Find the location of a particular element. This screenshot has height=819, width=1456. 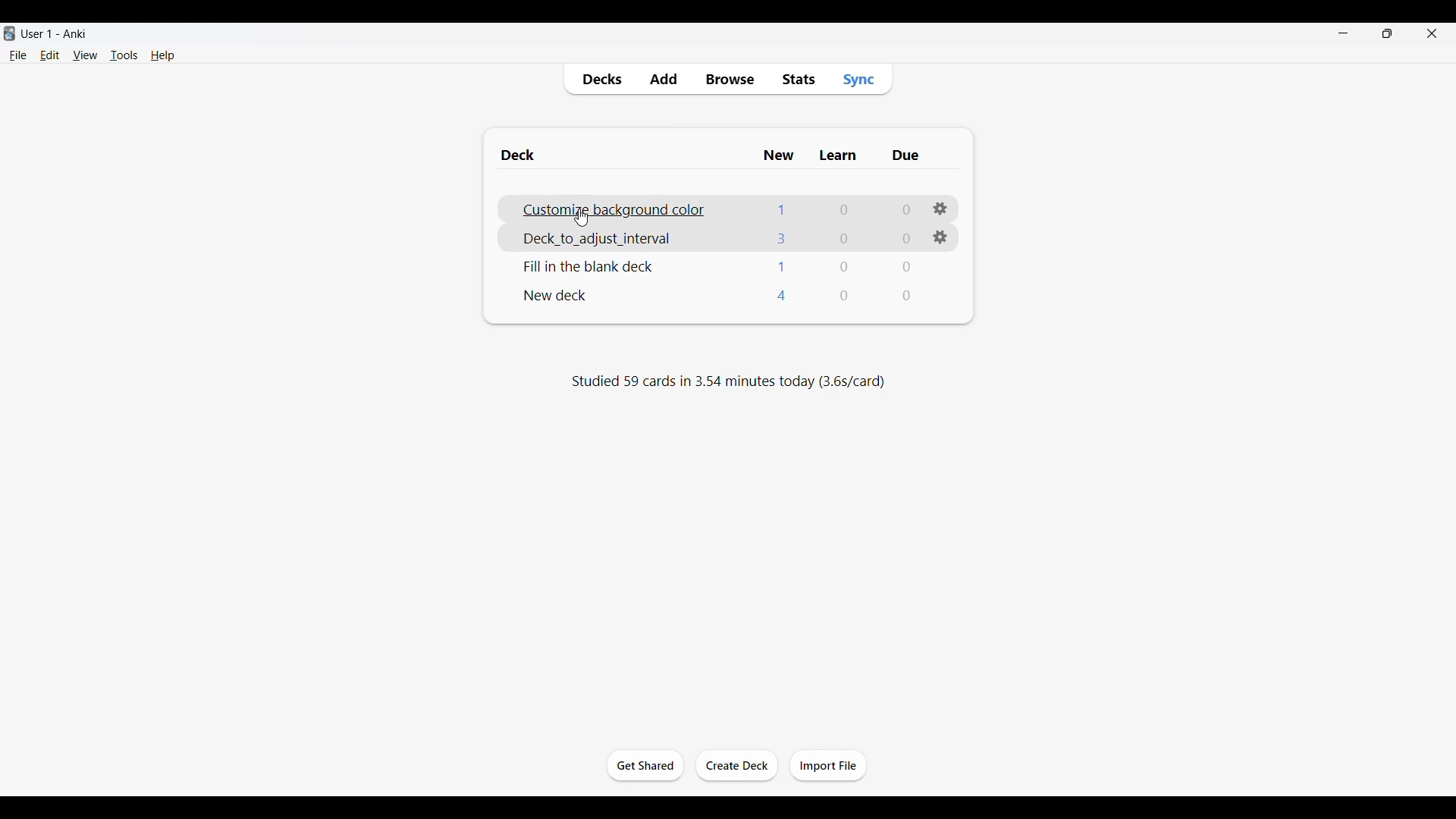

Close interface is located at coordinates (1432, 33).